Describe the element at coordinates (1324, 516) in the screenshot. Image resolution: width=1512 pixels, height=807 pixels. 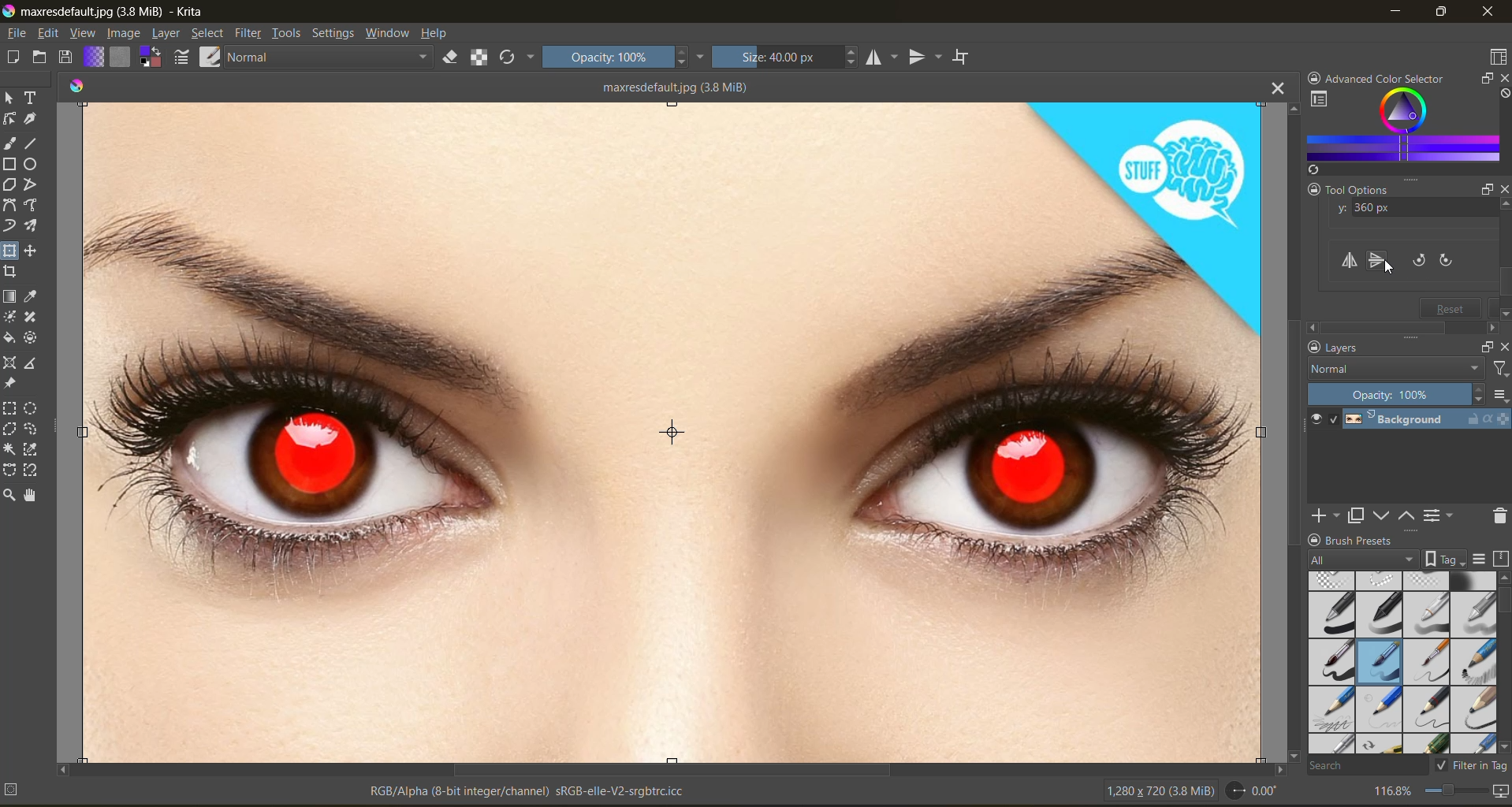
I see `add` at that location.